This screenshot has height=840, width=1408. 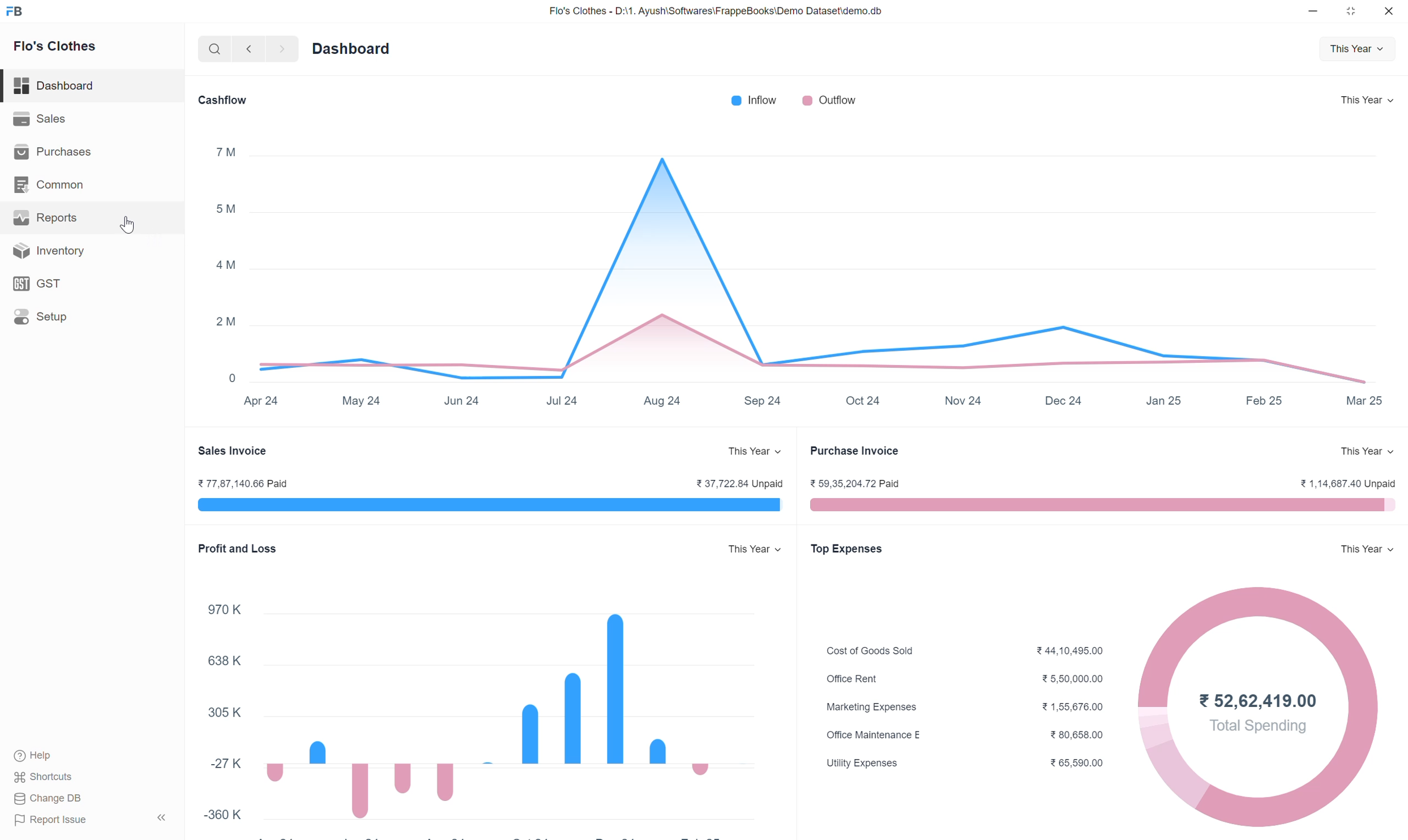 What do you see at coordinates (218, 609) in the screenshot?
I see `970 K` at bounding box center [218, 609].